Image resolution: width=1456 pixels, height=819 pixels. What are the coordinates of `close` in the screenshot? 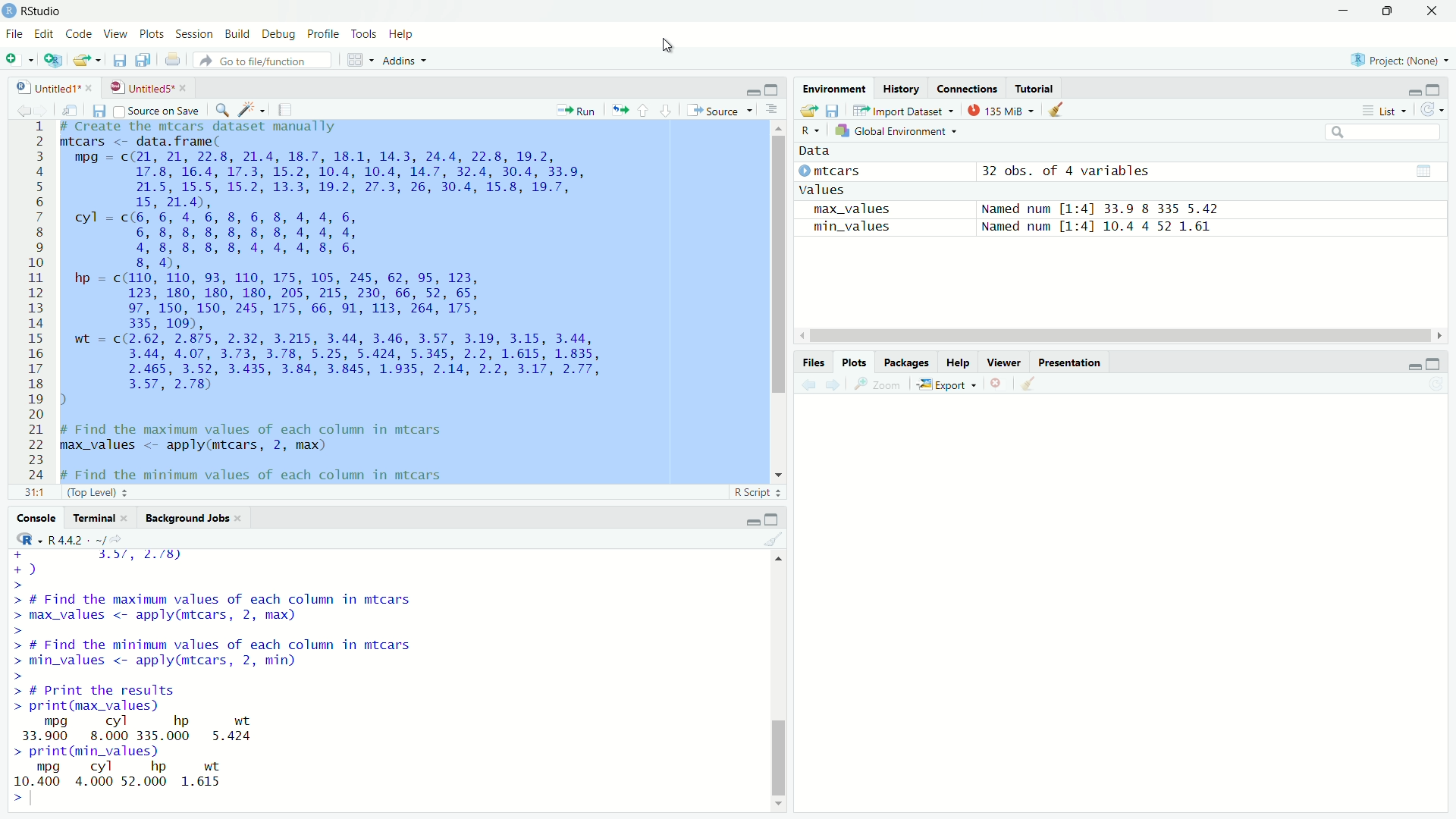 It's located at (1436, 11).